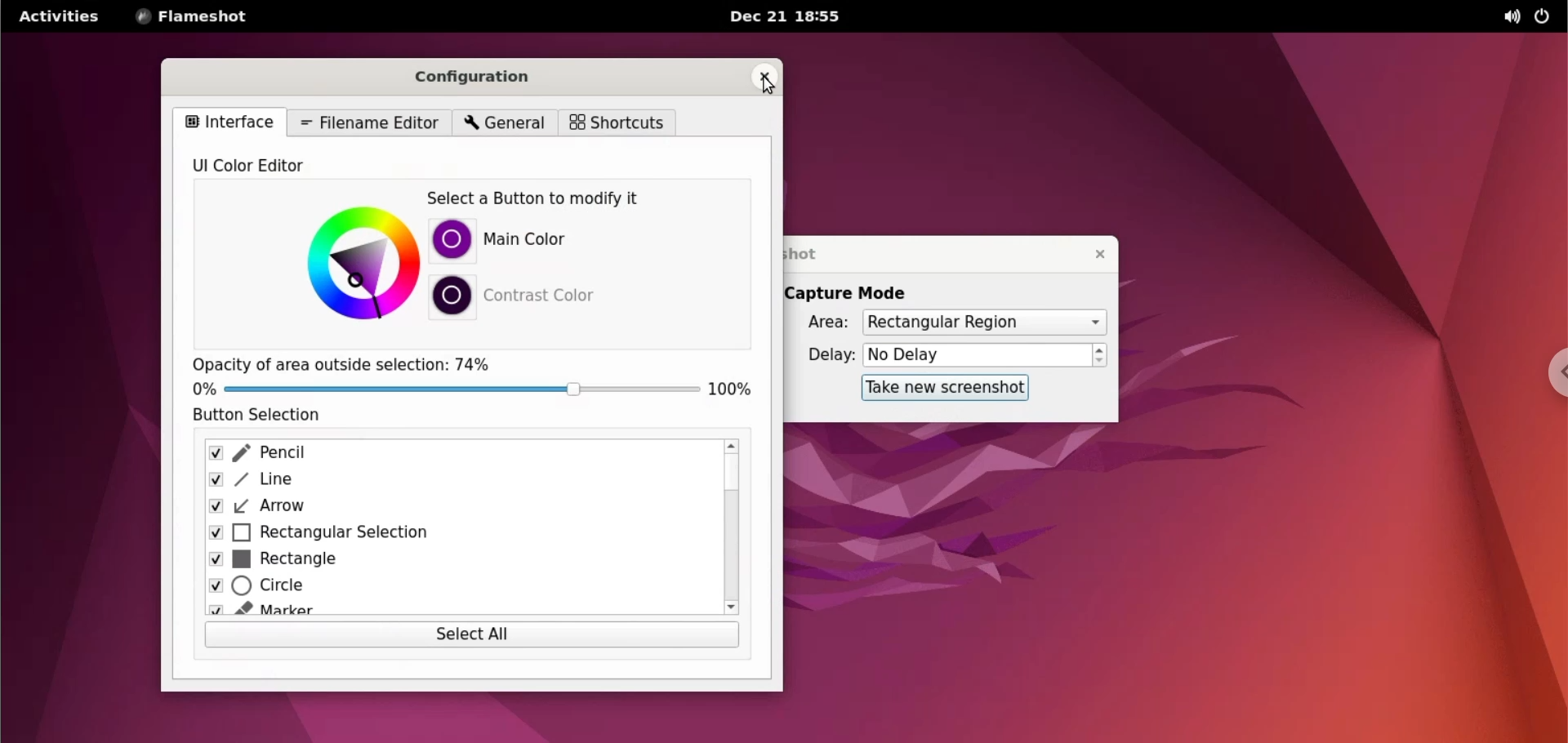 The height and width of the screenshot is (743, 1568). Describe the element at coordinates (536, 241) in the screenshot. I see `main color` at that location.